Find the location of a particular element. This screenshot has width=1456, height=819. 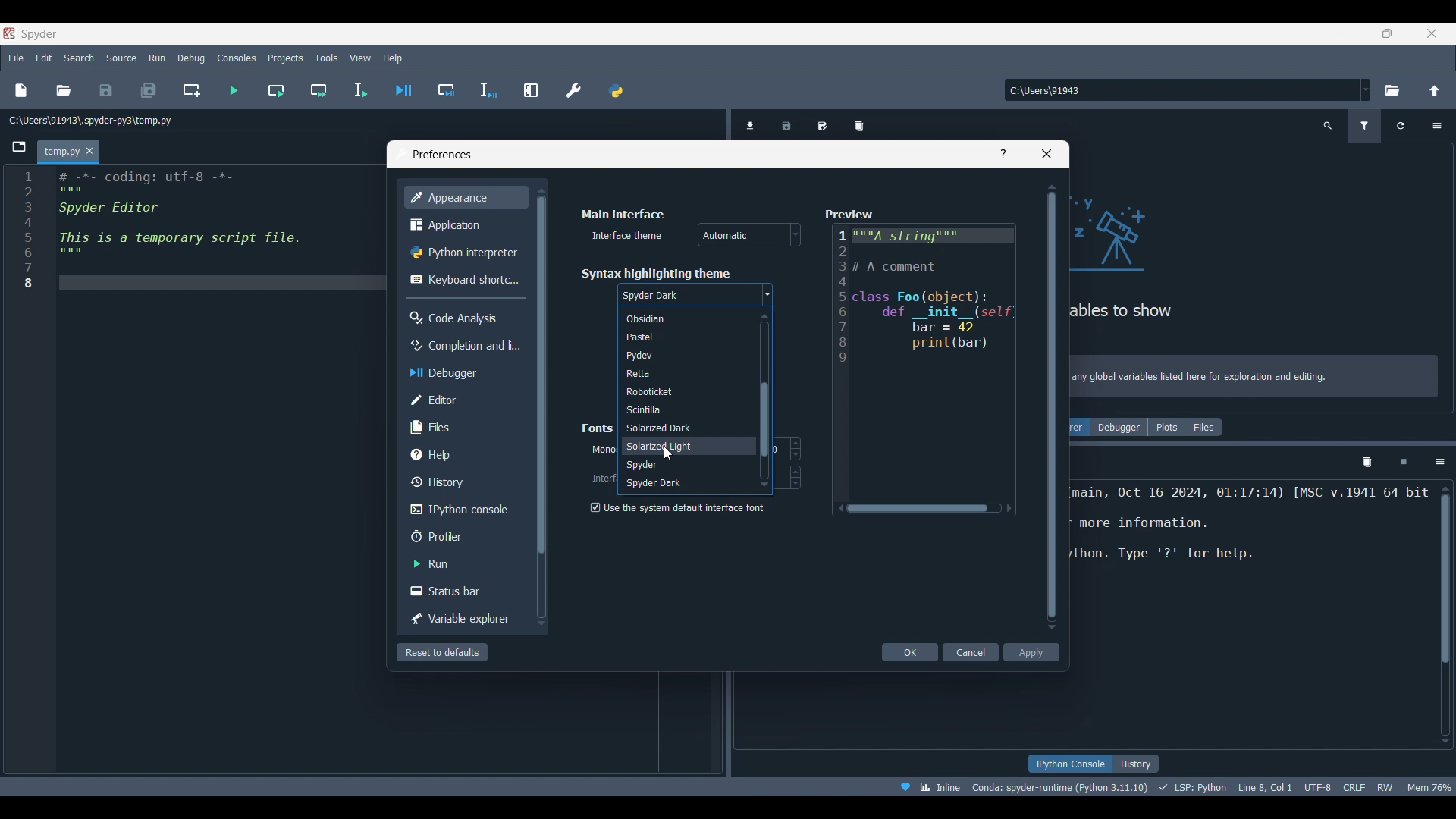

Python interpreter is located at coordinates (466, 252).